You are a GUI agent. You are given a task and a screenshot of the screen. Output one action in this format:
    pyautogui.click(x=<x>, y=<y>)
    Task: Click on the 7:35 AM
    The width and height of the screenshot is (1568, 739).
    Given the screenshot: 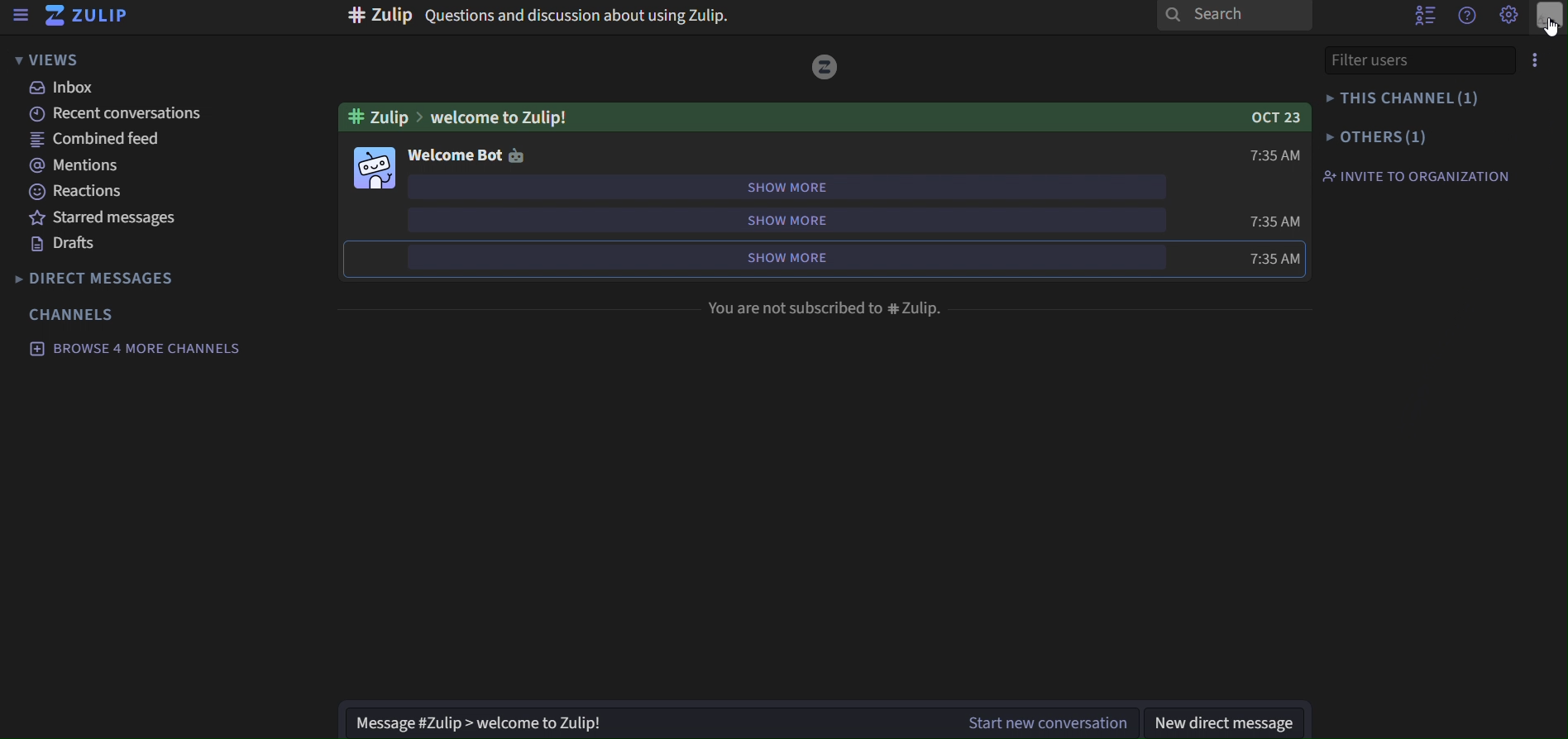 What is the action you would take?
    pyautogui.click(x=1278, y=258)
    